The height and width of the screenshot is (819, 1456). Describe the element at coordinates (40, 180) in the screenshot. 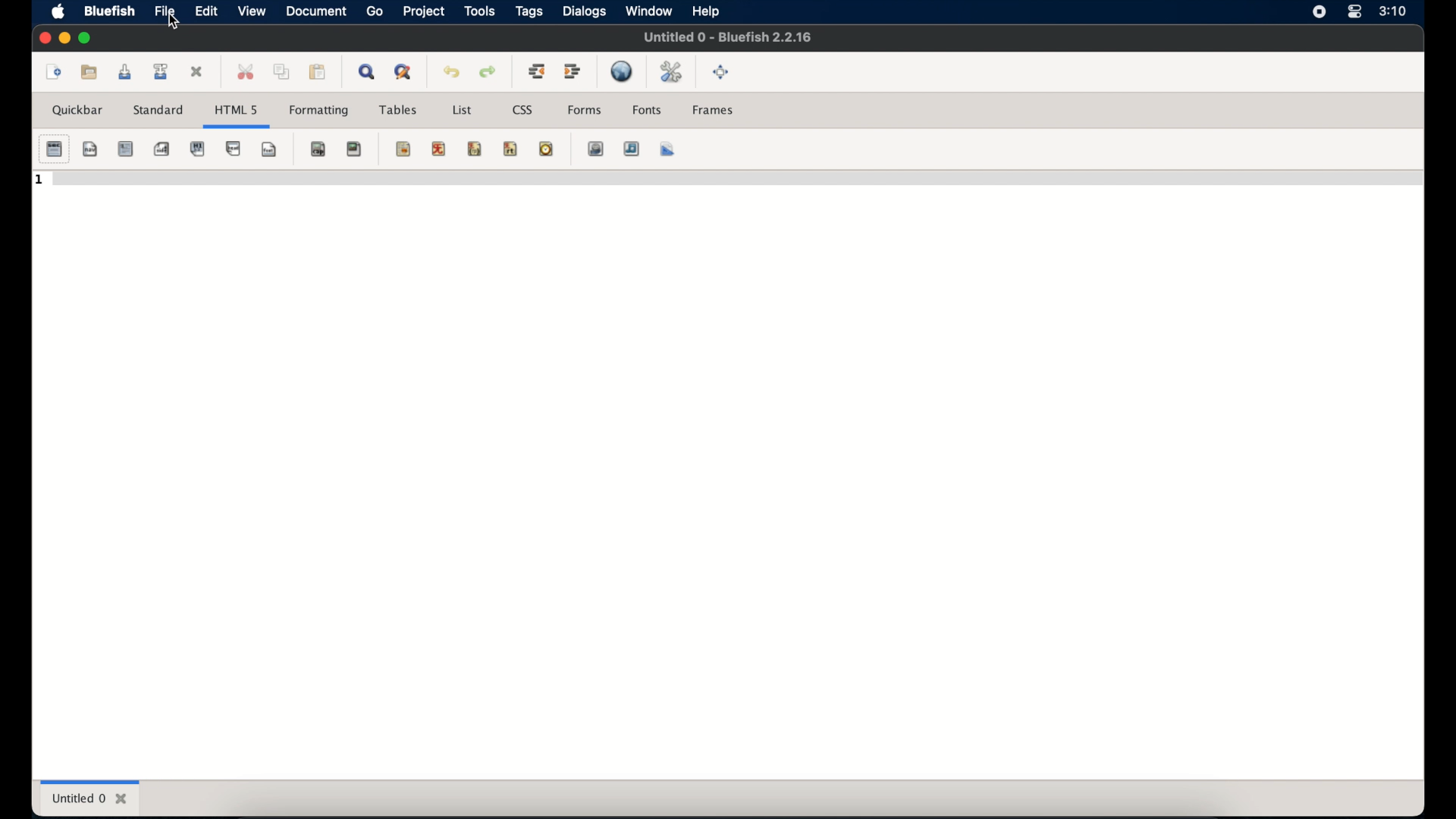

I see `1` at that location.